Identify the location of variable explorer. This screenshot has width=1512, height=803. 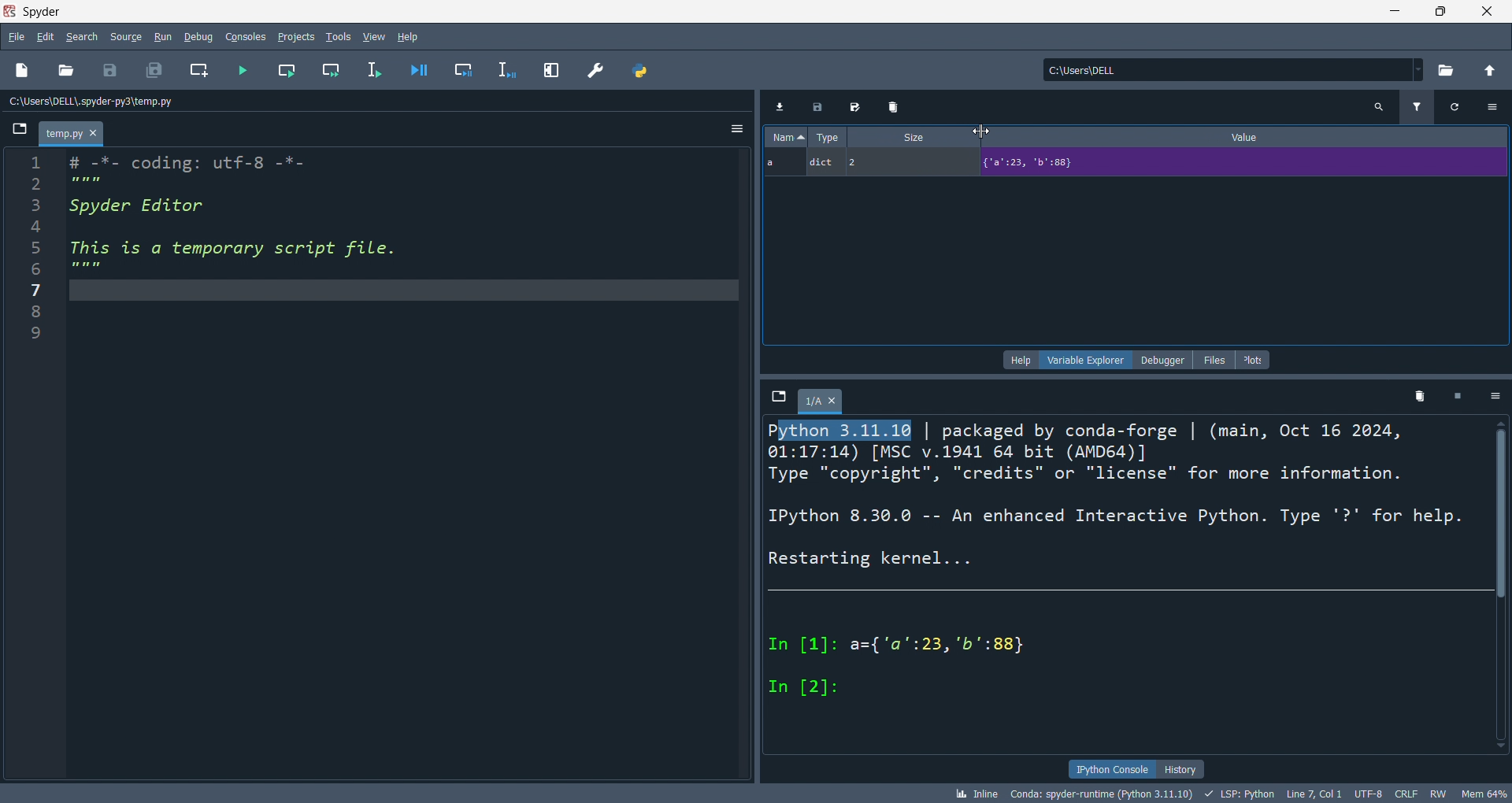
(1085, 359).